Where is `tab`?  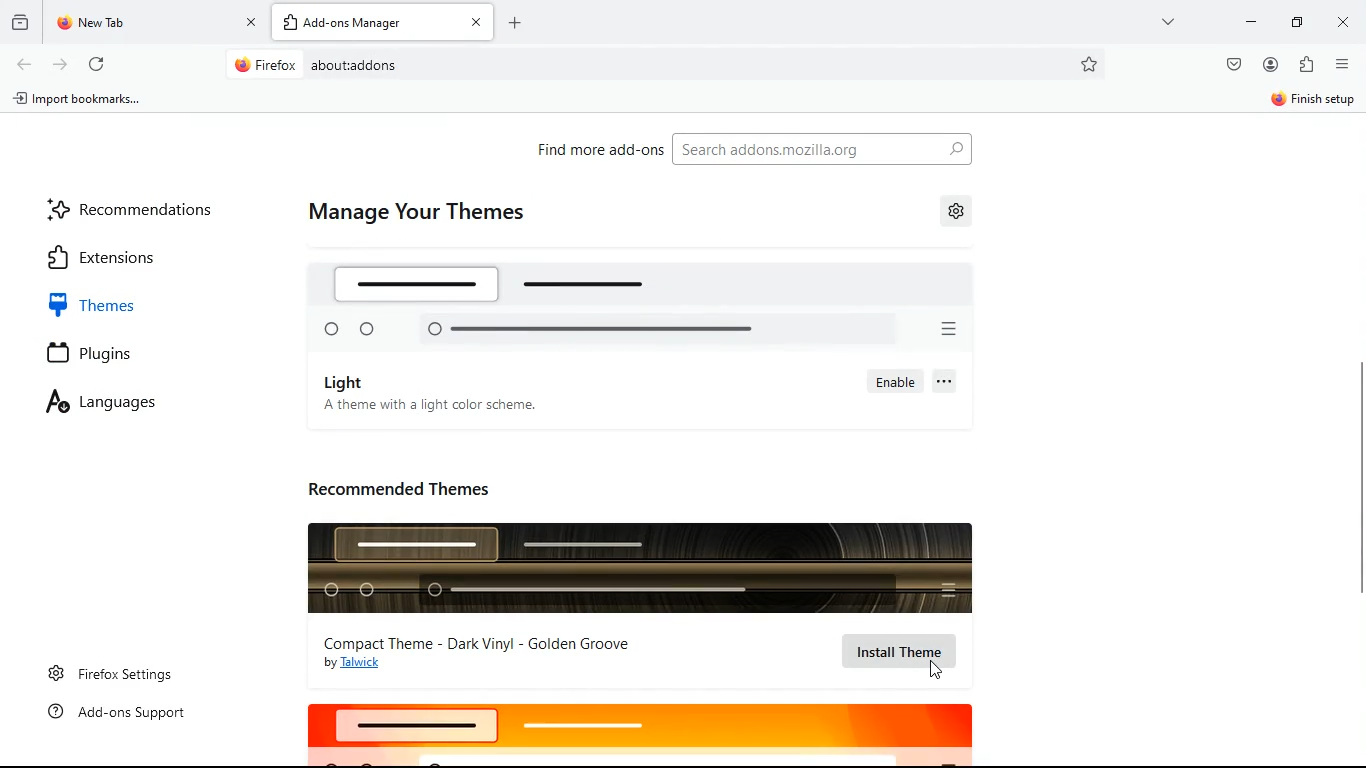 tab is located at coordinates (156, 24).